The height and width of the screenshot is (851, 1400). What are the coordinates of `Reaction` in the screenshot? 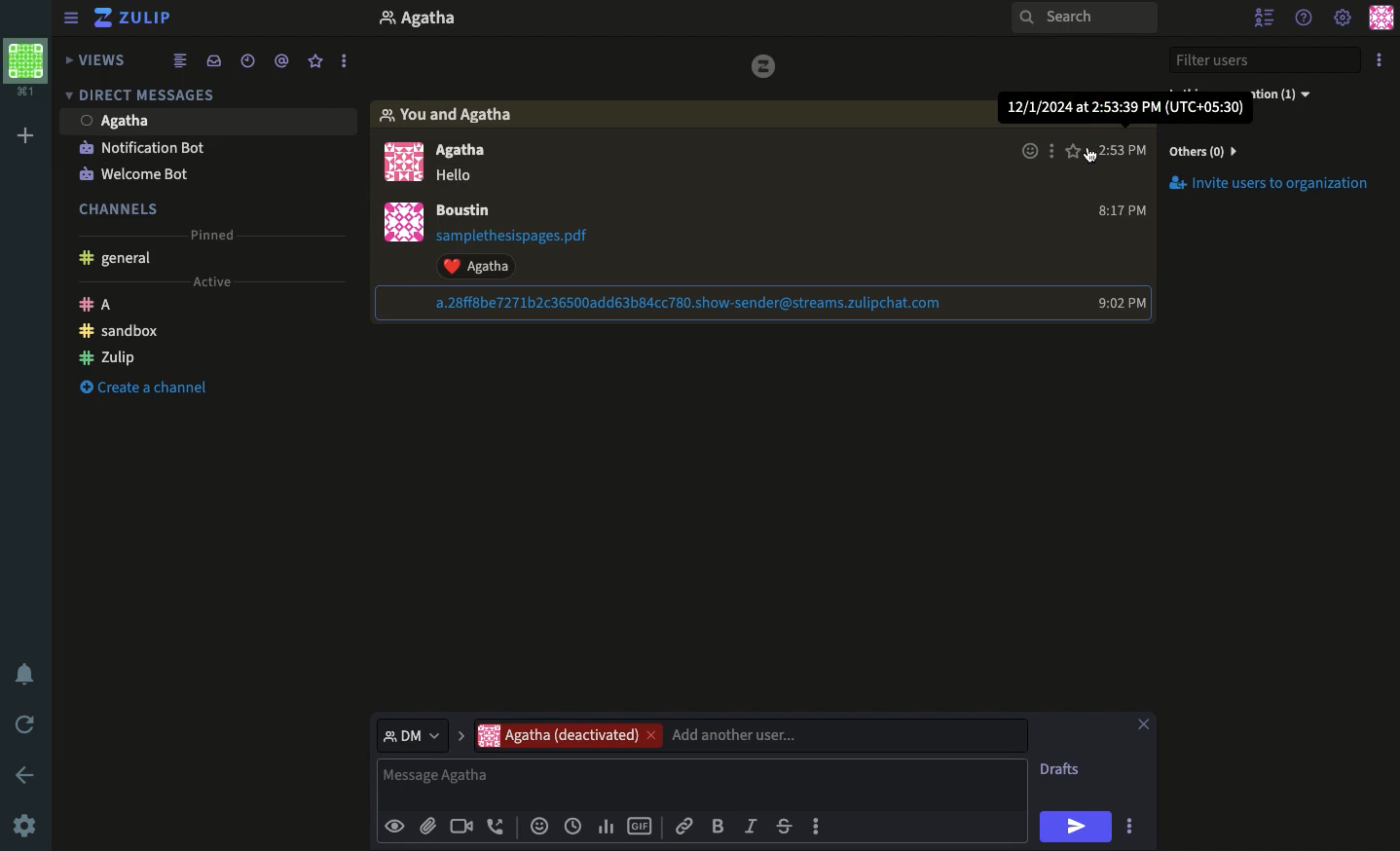 It's located at (541, 824).